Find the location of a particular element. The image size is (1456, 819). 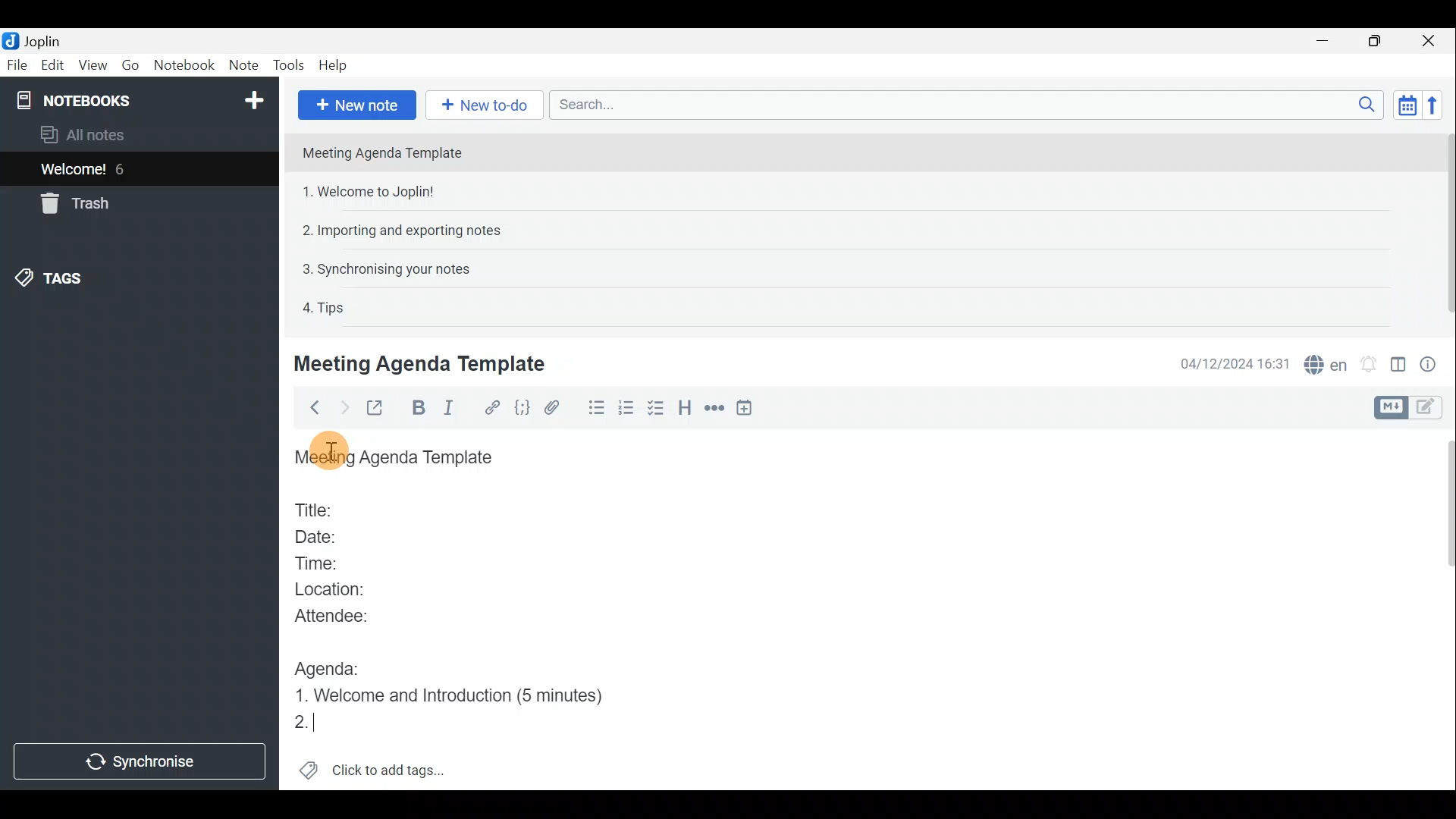

4. Tips is located at coordinates (325, 307).